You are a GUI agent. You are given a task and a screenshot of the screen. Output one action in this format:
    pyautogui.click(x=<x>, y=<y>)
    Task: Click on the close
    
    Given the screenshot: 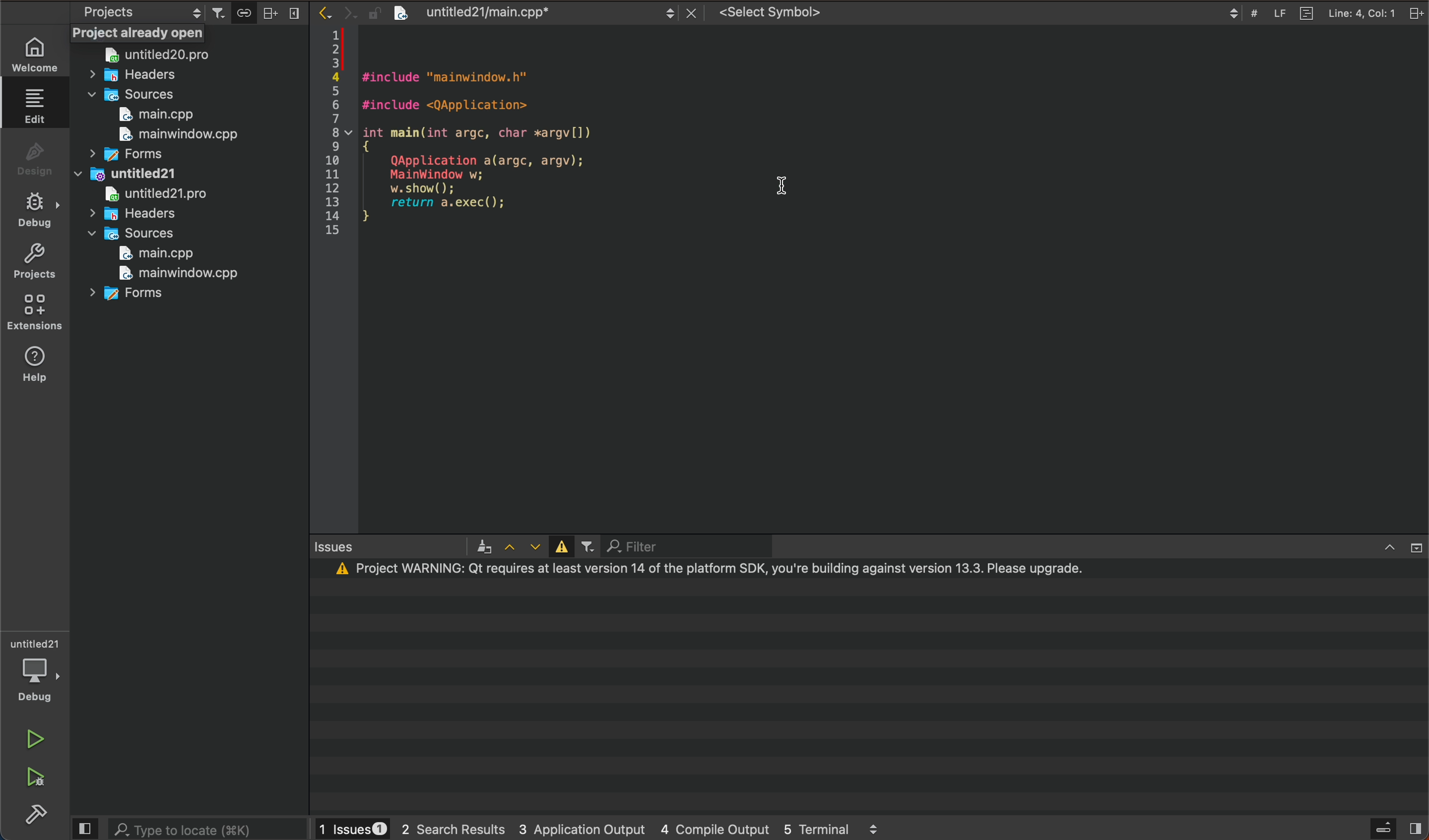 What is the action you would take?
    pyautogui.click(x=695, y=12)
    